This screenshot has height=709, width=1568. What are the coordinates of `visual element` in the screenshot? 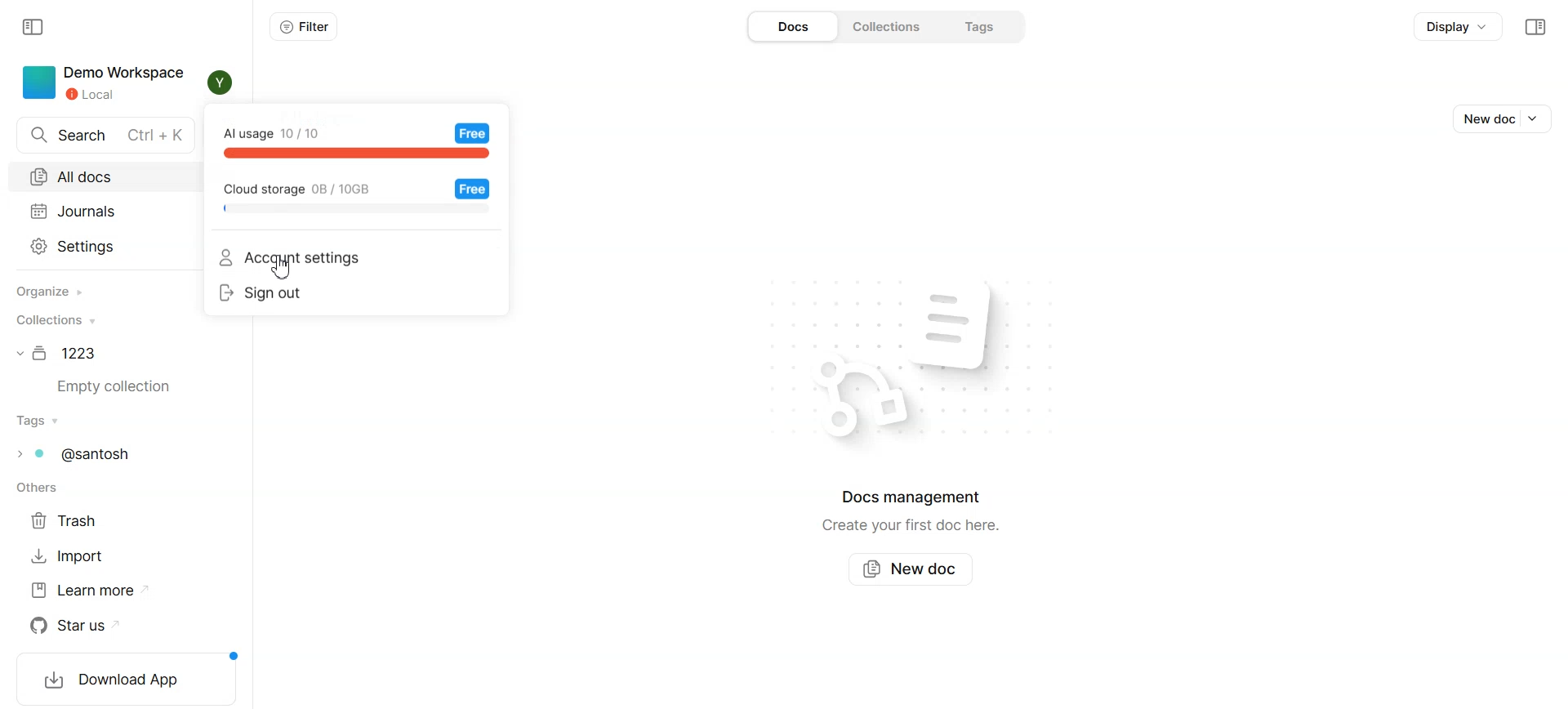 It's located at (850, 399).